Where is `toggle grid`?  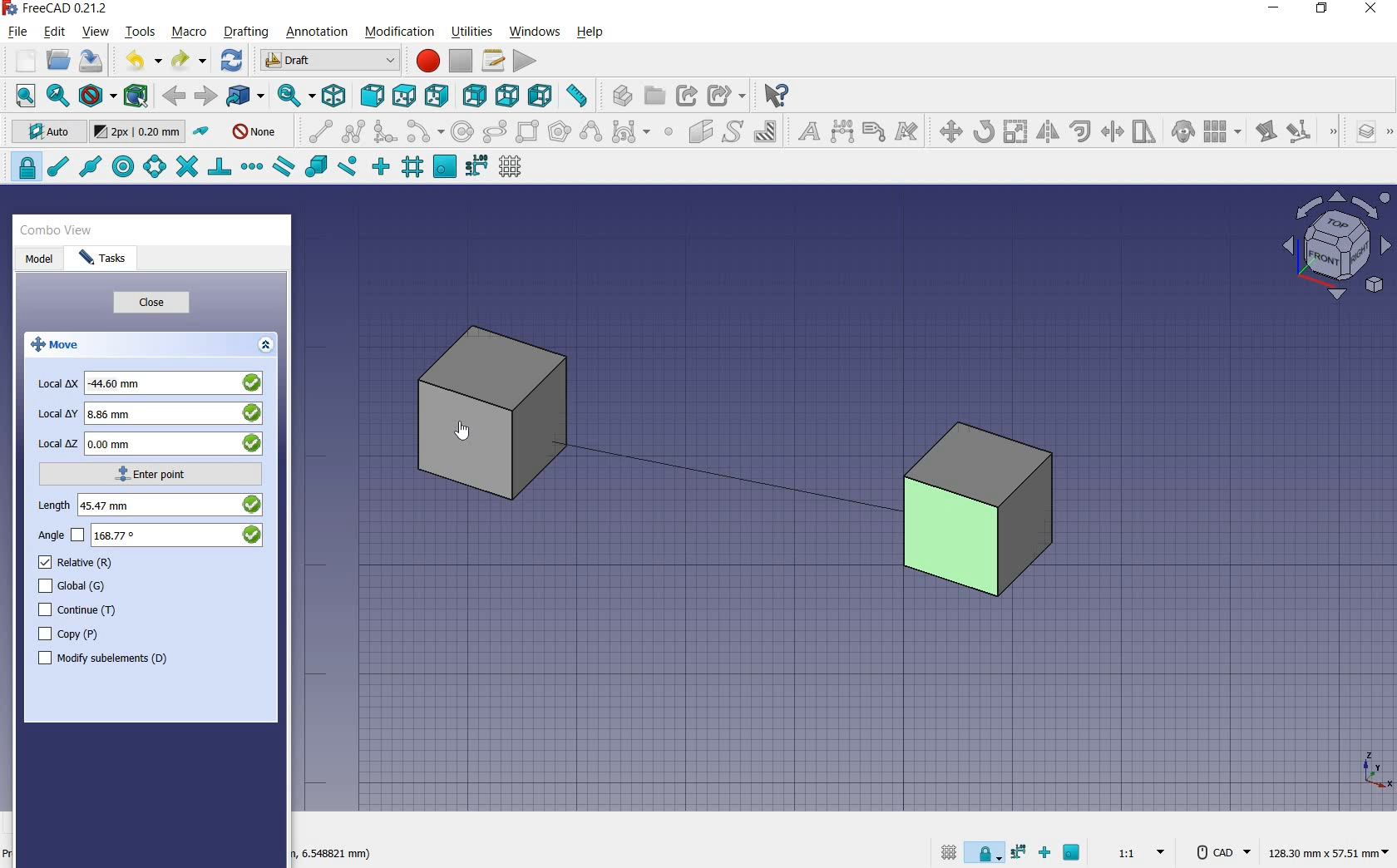
toggle grid is located at coordinates (509, 169).